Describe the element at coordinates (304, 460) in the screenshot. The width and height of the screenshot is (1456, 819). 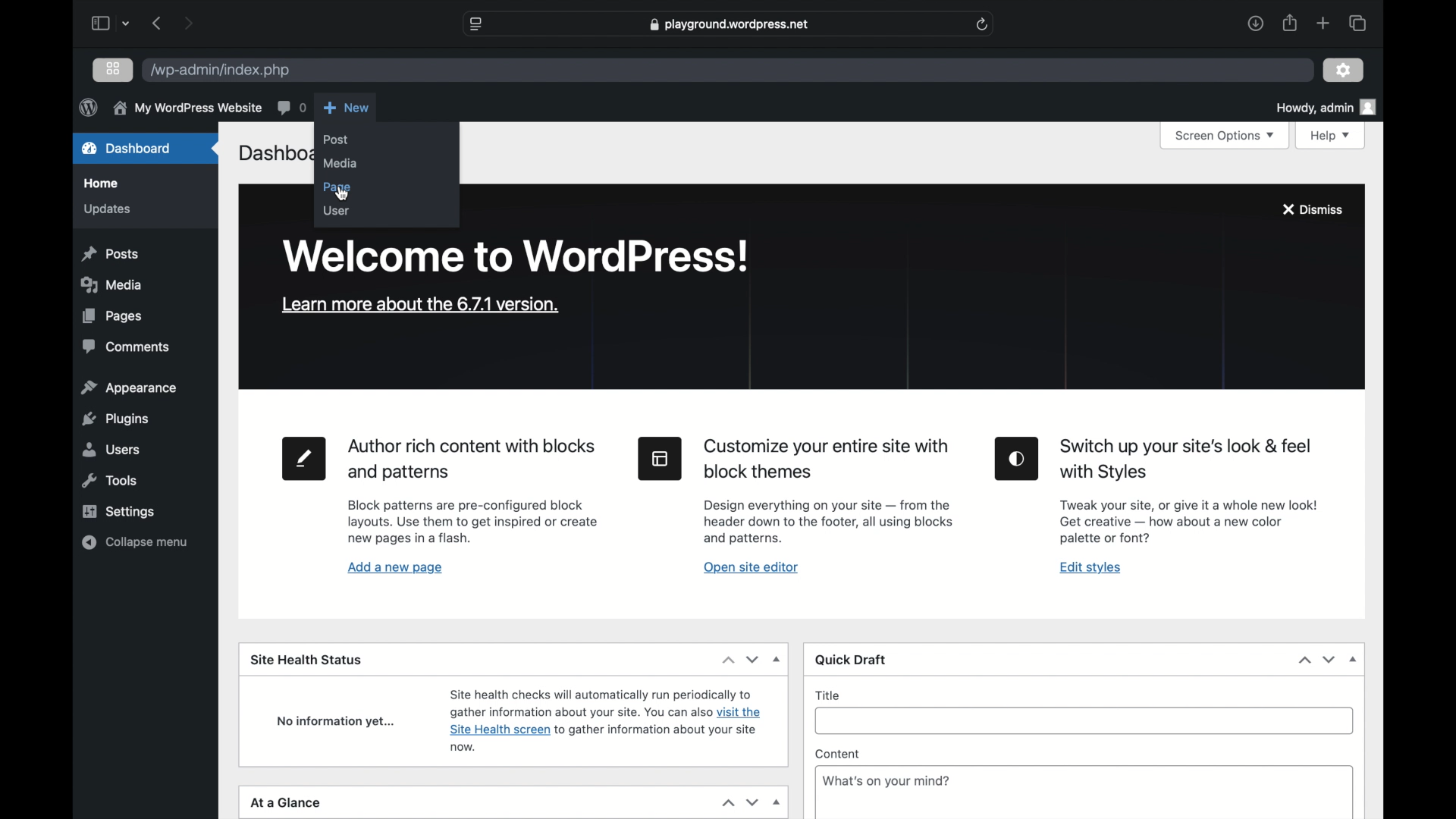
I see `new page` at that location.